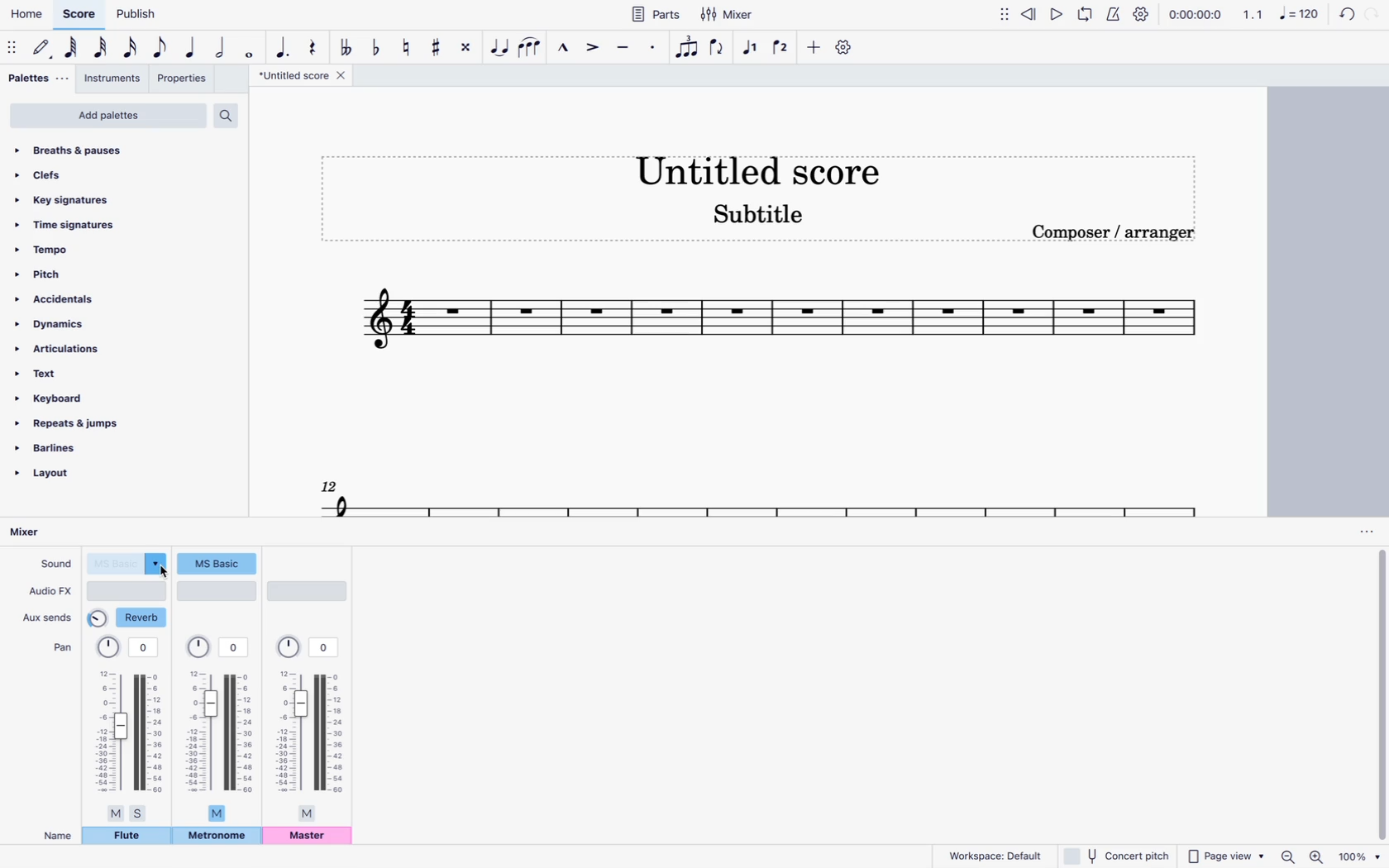 The width and height of the screenshot is (1389, 868). Describe the element at coordinates (129, 618) in the screenshot. I see `reverb` at that location.